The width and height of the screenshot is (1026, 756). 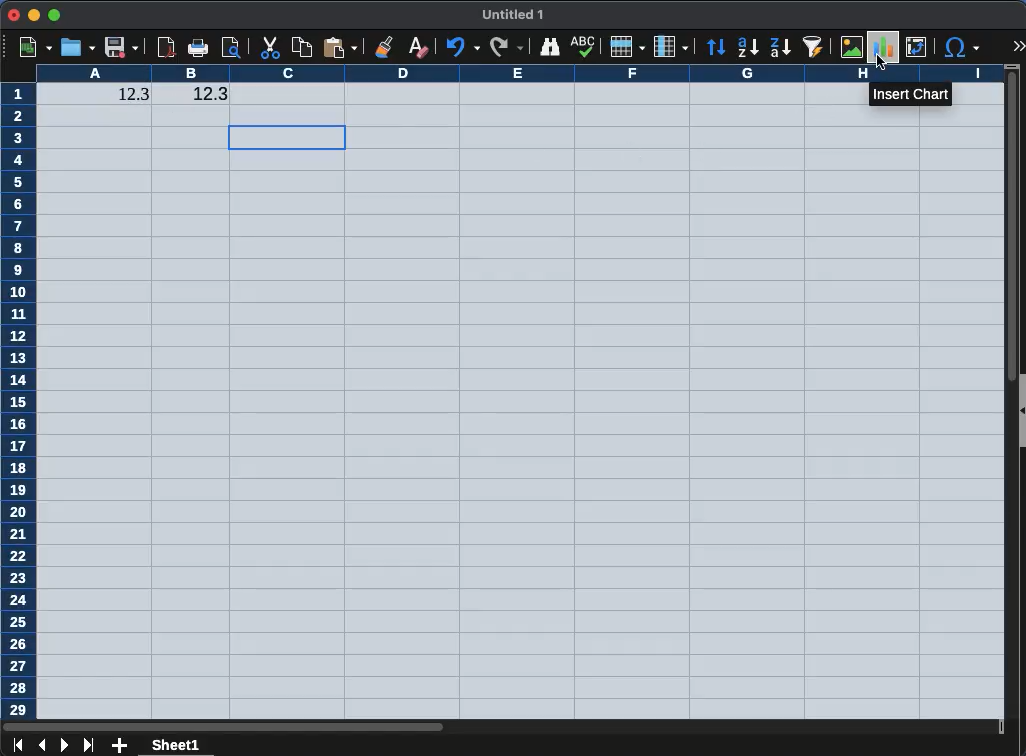 I want to click on image, so click(x=852, y=47).